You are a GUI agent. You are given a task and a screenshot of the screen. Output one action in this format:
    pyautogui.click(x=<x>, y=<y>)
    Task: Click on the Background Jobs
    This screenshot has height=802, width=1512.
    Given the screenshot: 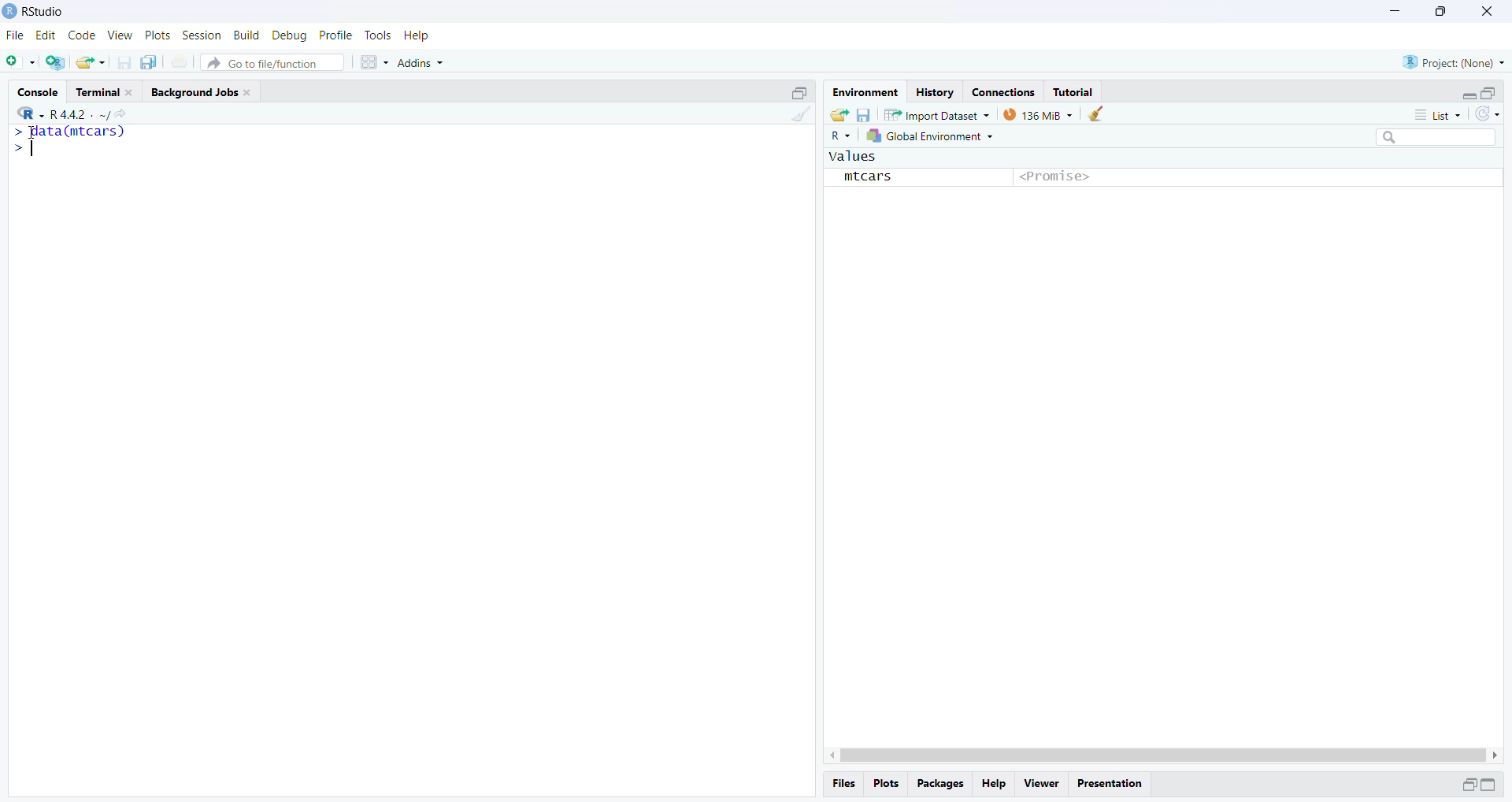 What is the action you would take?
    pyautogui.click(x=204, y=92)
    